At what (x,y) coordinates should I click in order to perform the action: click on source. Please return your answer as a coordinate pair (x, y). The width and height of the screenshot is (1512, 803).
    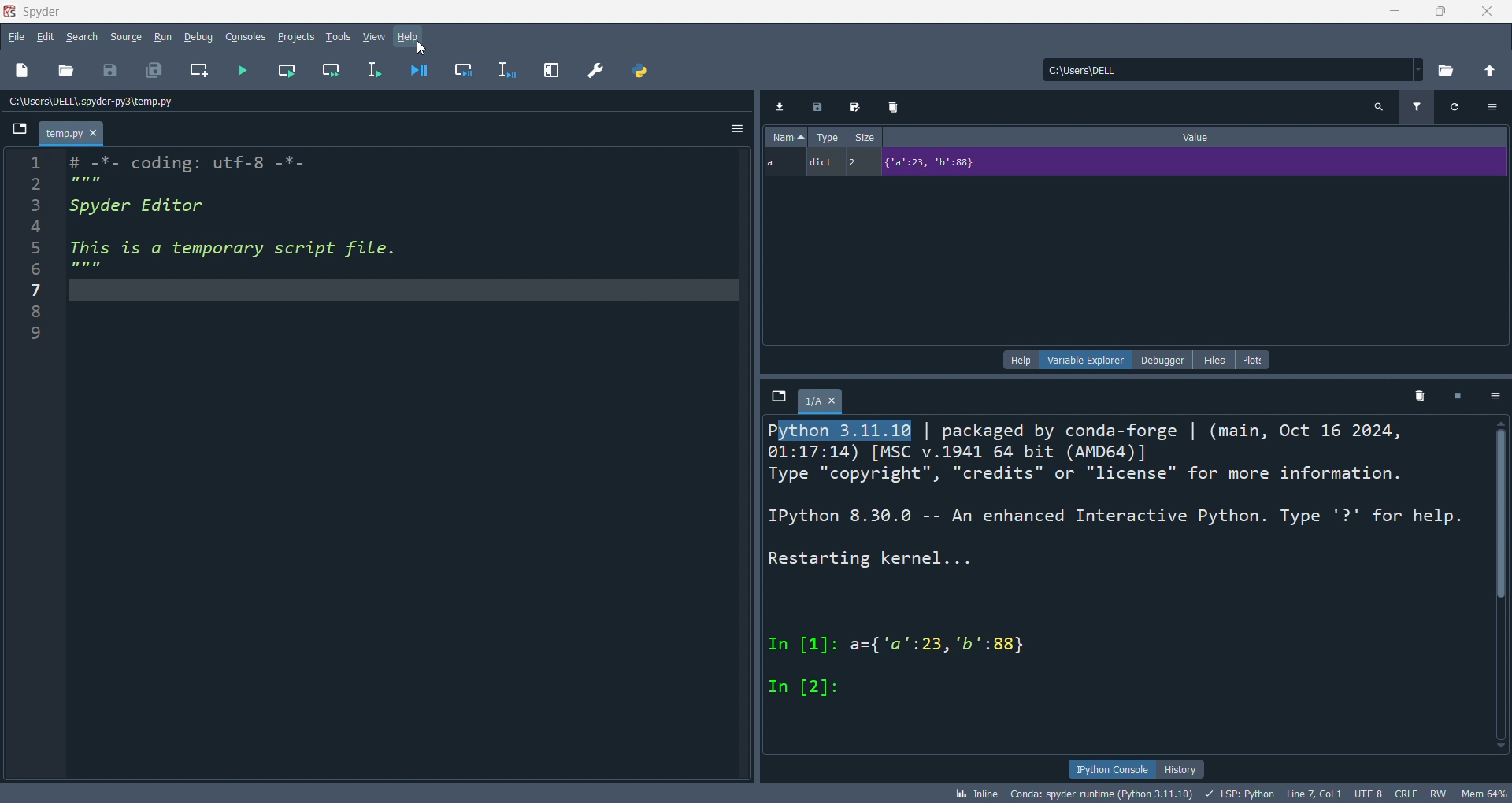
    Looking at the image, I should click on (126, 37).